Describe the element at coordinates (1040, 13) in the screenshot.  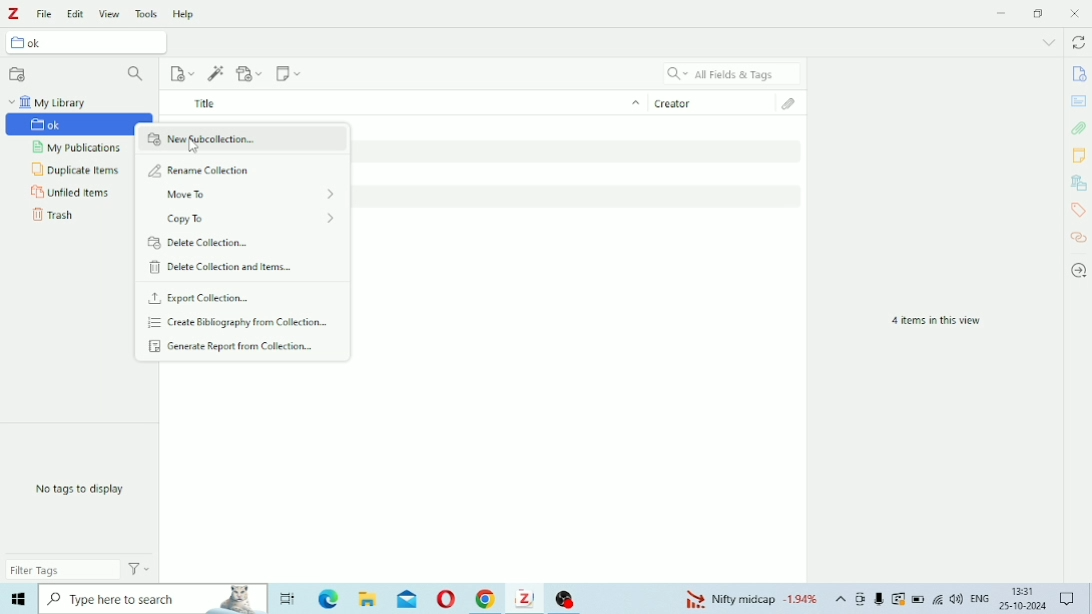
I see `Restore down` at that location.